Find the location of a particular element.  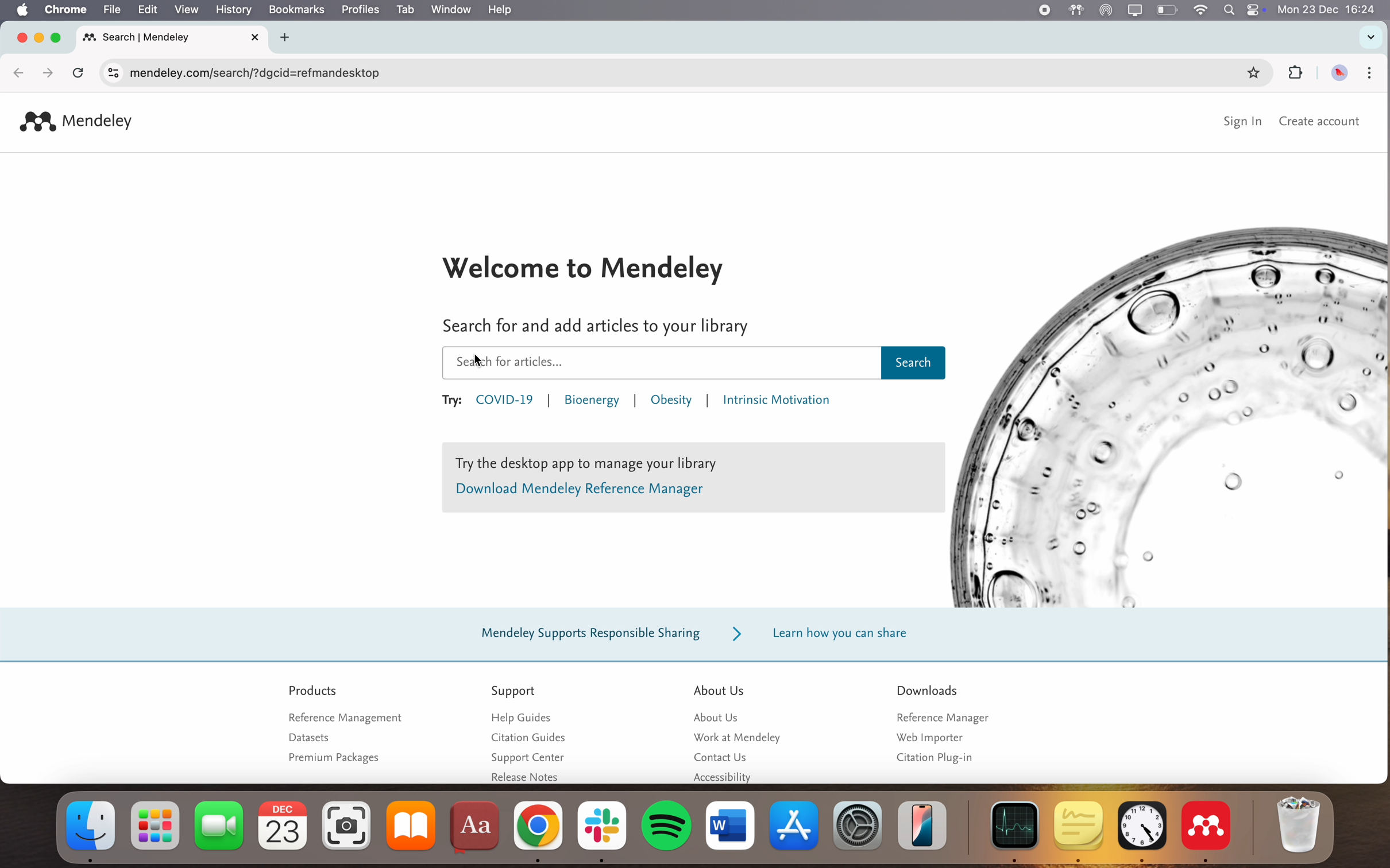

stickies is located at coordinates (1076, 830).